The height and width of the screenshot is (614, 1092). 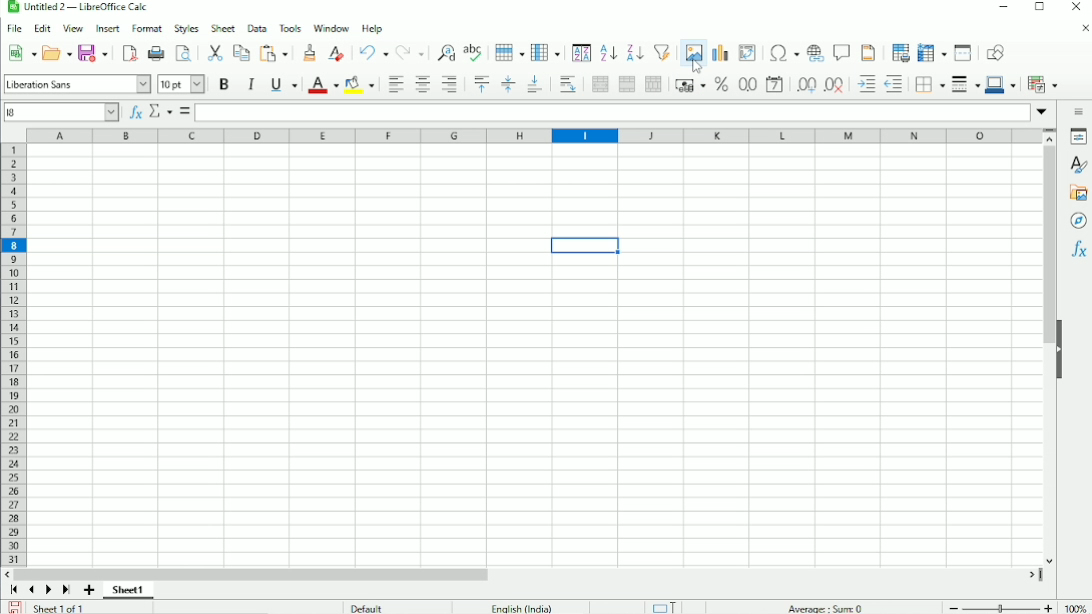 I want to click on Merge cells, so click(x=625, y=84).